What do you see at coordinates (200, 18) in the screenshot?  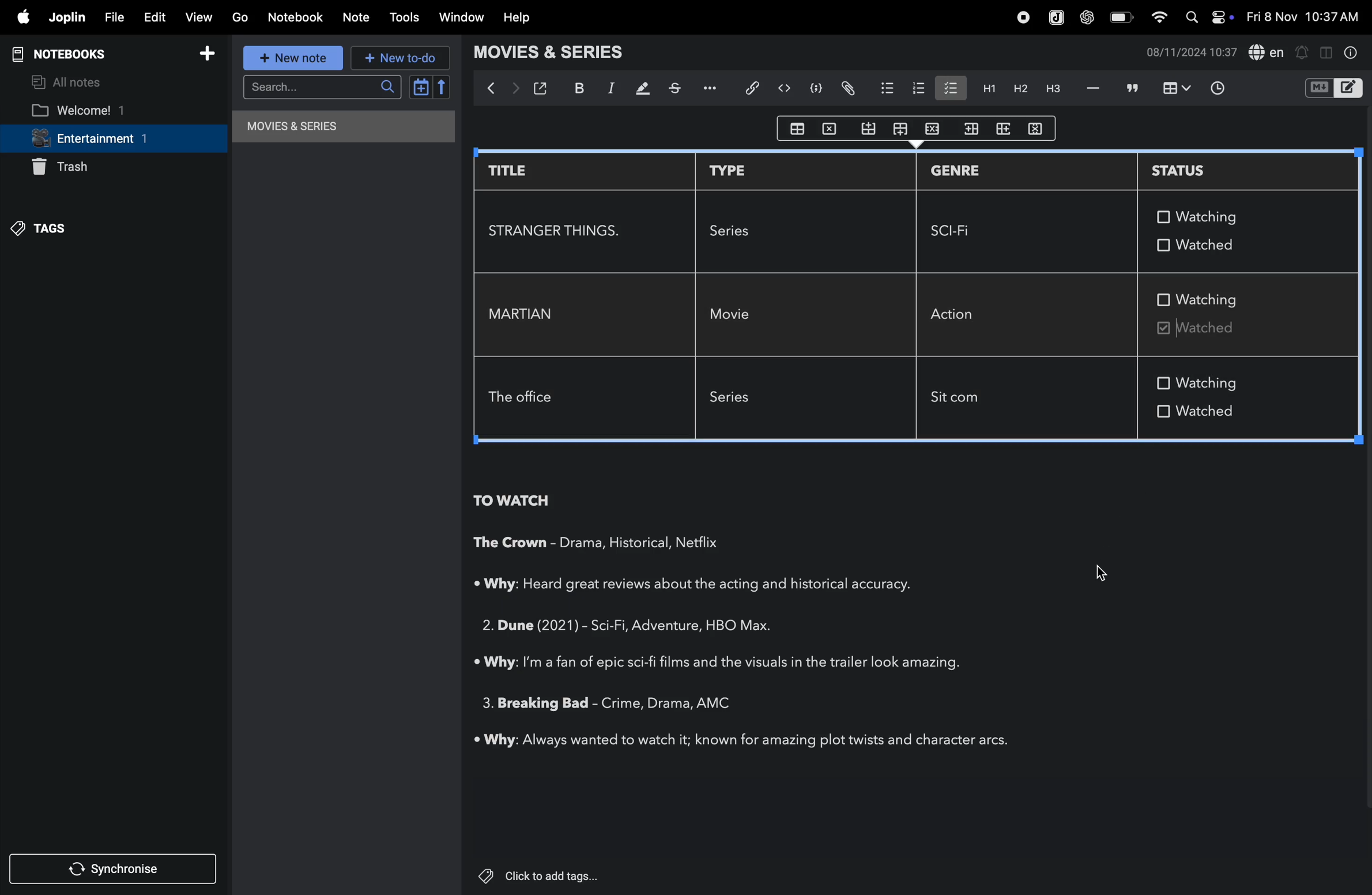 I see `view` at bounding box center [200, 18].